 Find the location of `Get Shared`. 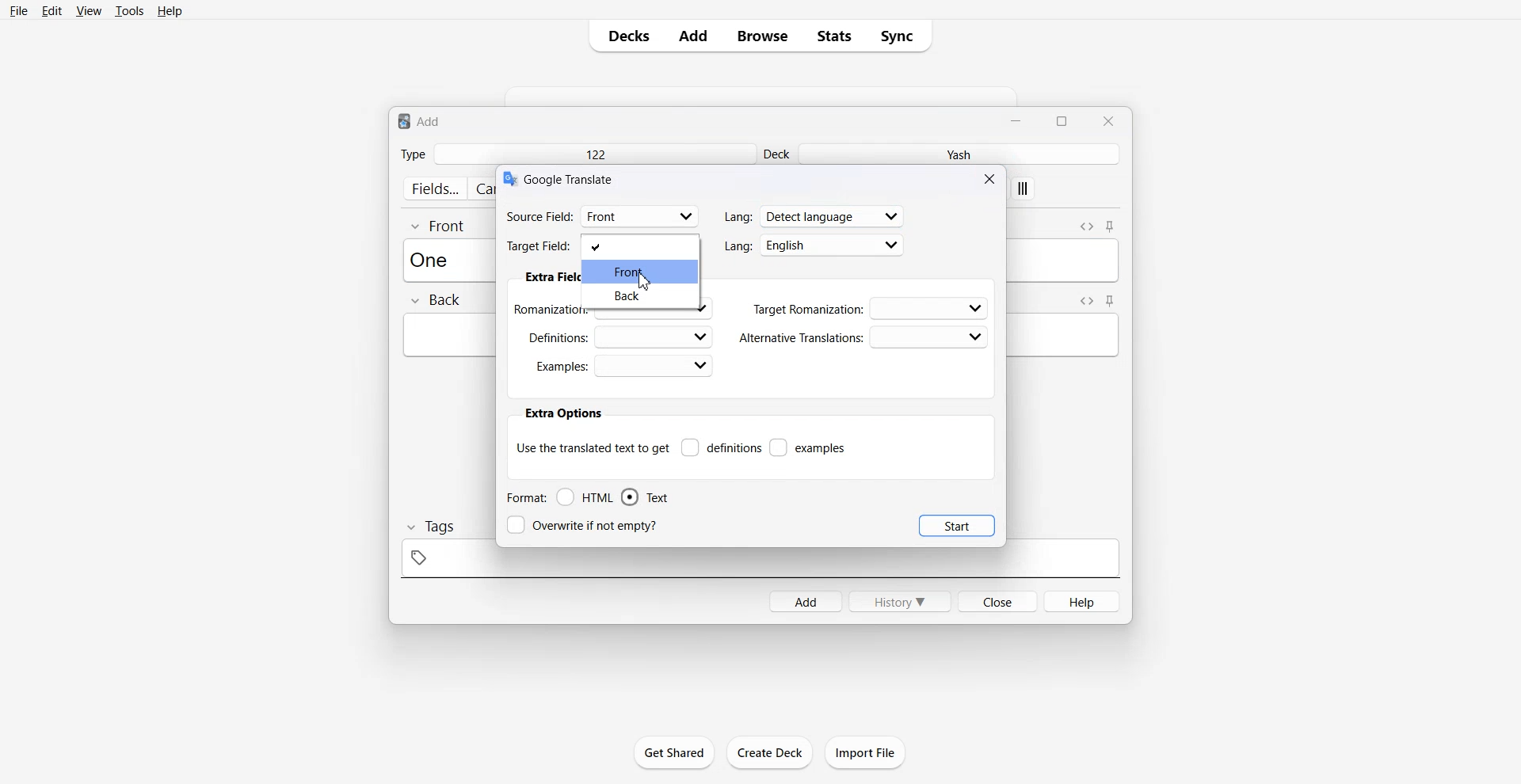

Get Shared is located at coordinates (675, 752).